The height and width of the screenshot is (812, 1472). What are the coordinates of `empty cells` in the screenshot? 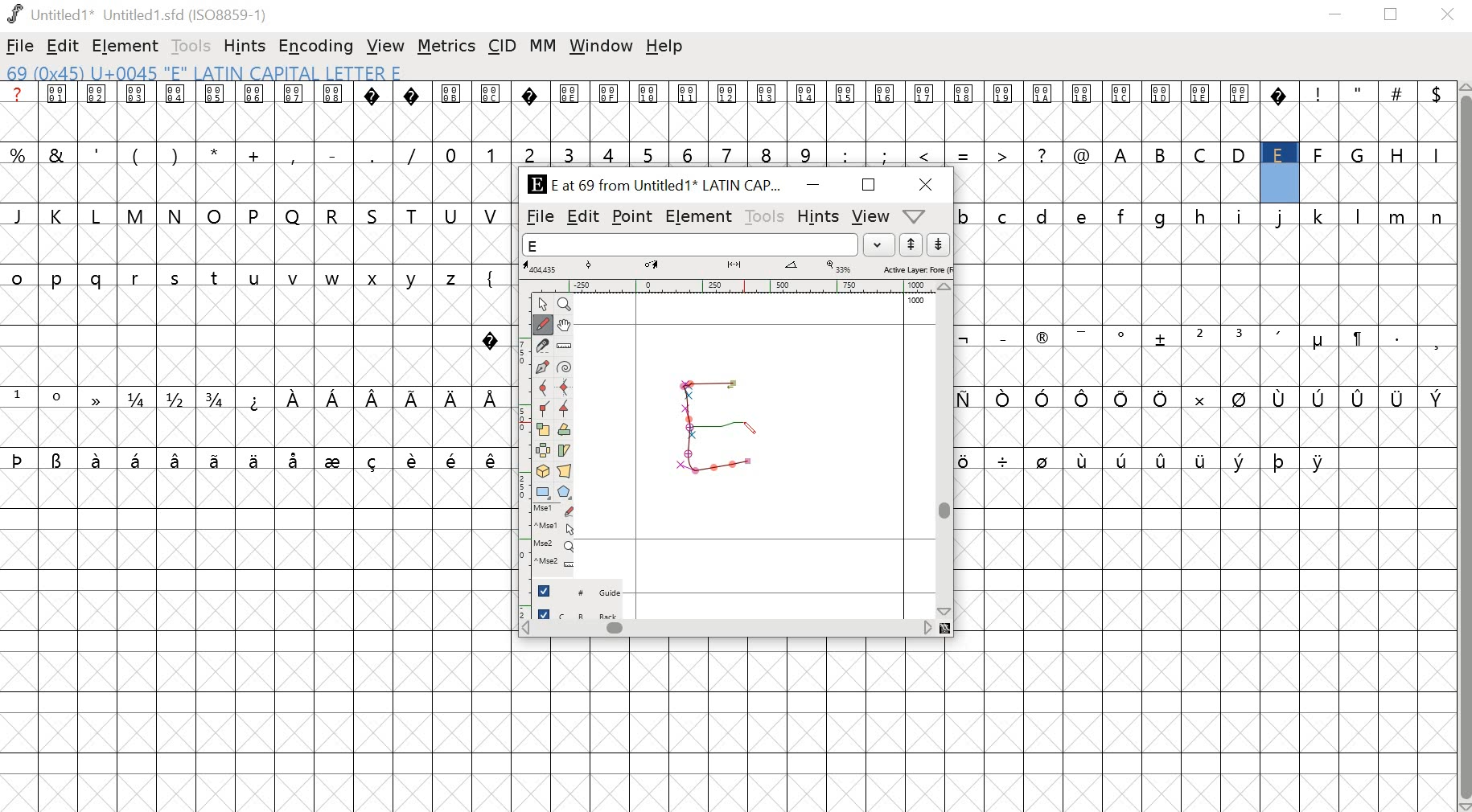 It's located at (1206, 428).